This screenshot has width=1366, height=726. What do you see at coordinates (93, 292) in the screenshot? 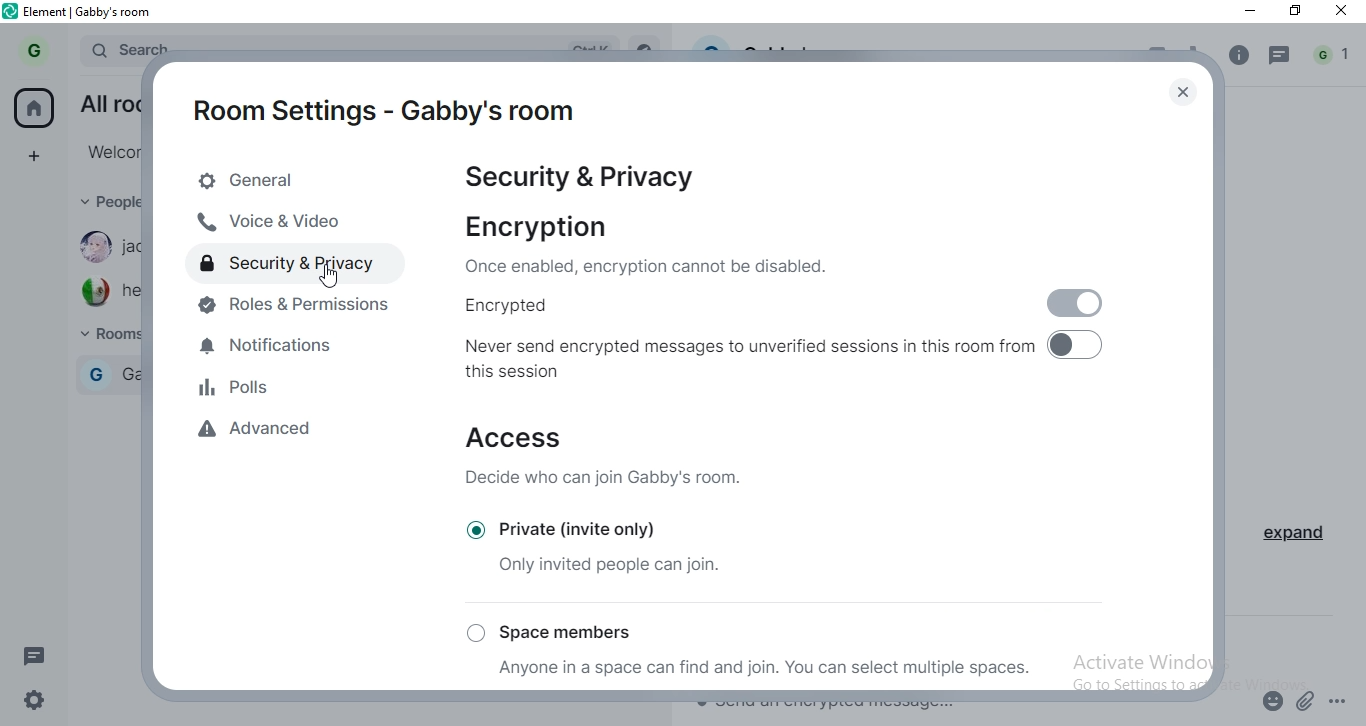
I see `Profile image` at bounding box center [93, 292].